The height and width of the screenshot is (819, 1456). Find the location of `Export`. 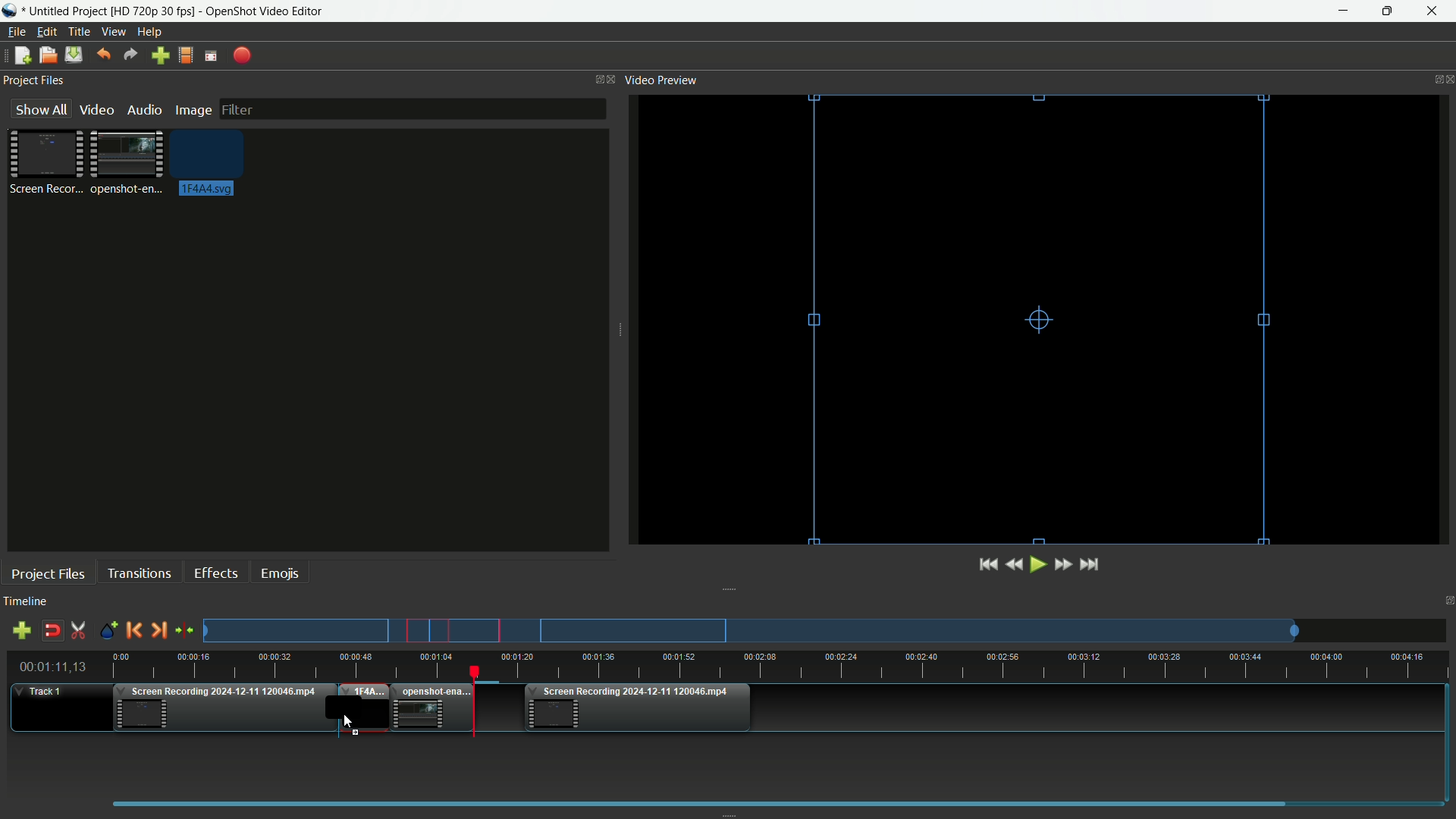

Export is located at coordinates (243, 56).